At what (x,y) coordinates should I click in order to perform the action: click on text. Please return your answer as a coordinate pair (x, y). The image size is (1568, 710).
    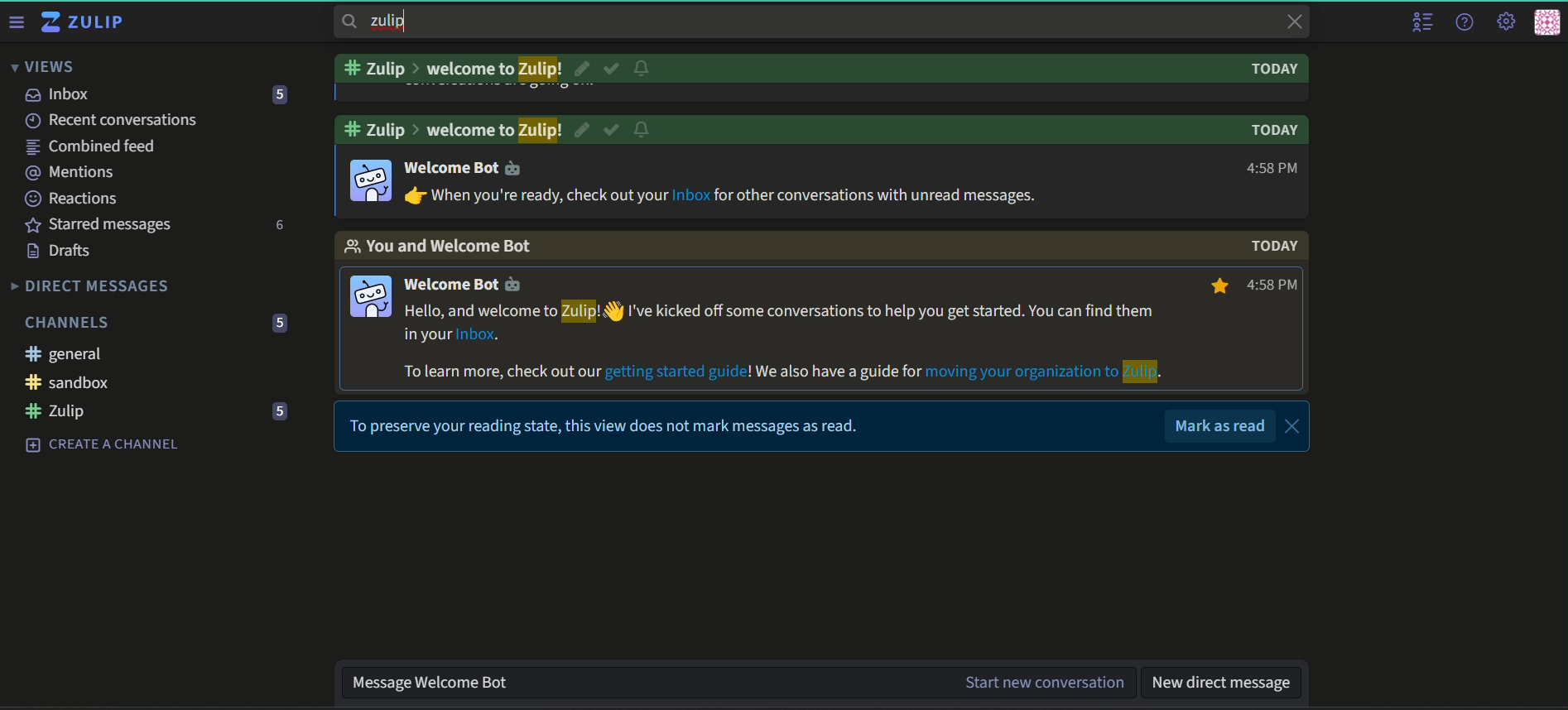
    Looking at the image, I should click on (471, 283).